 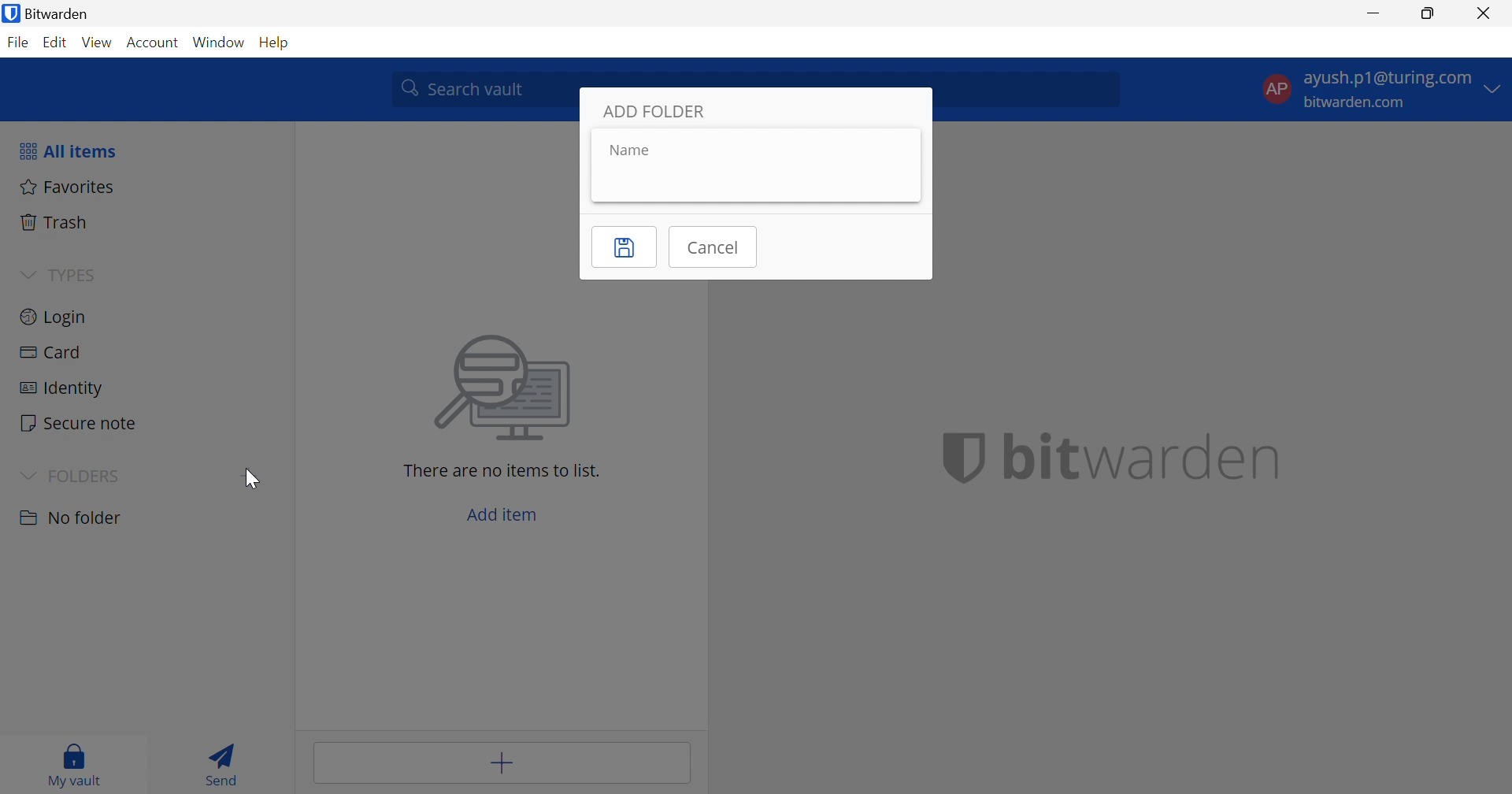 What do you see at coordinates (752, 184) in the screenshot?
I see `name input box` at bounding box center [752, 184].